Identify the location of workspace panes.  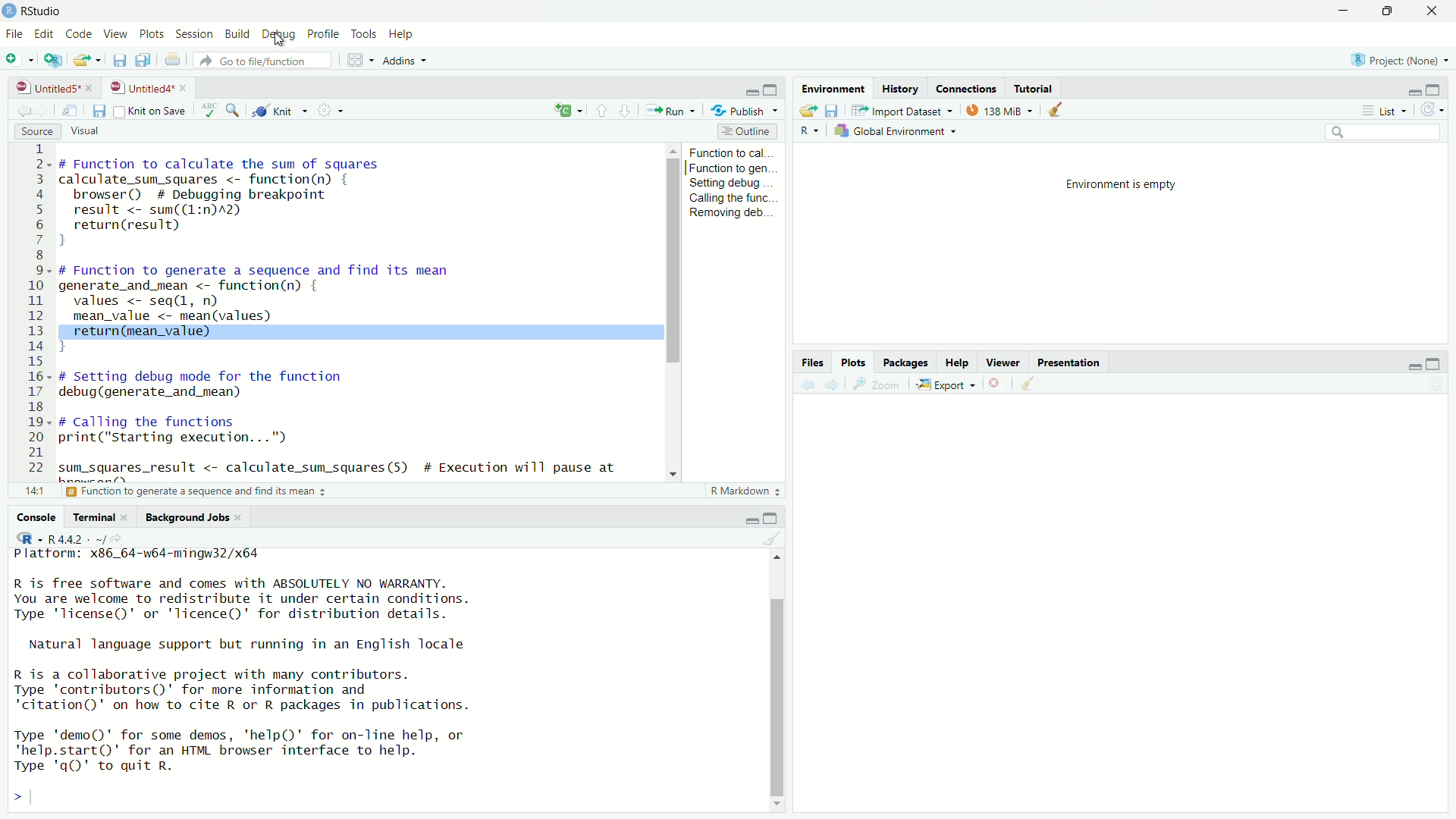
(362, 60).